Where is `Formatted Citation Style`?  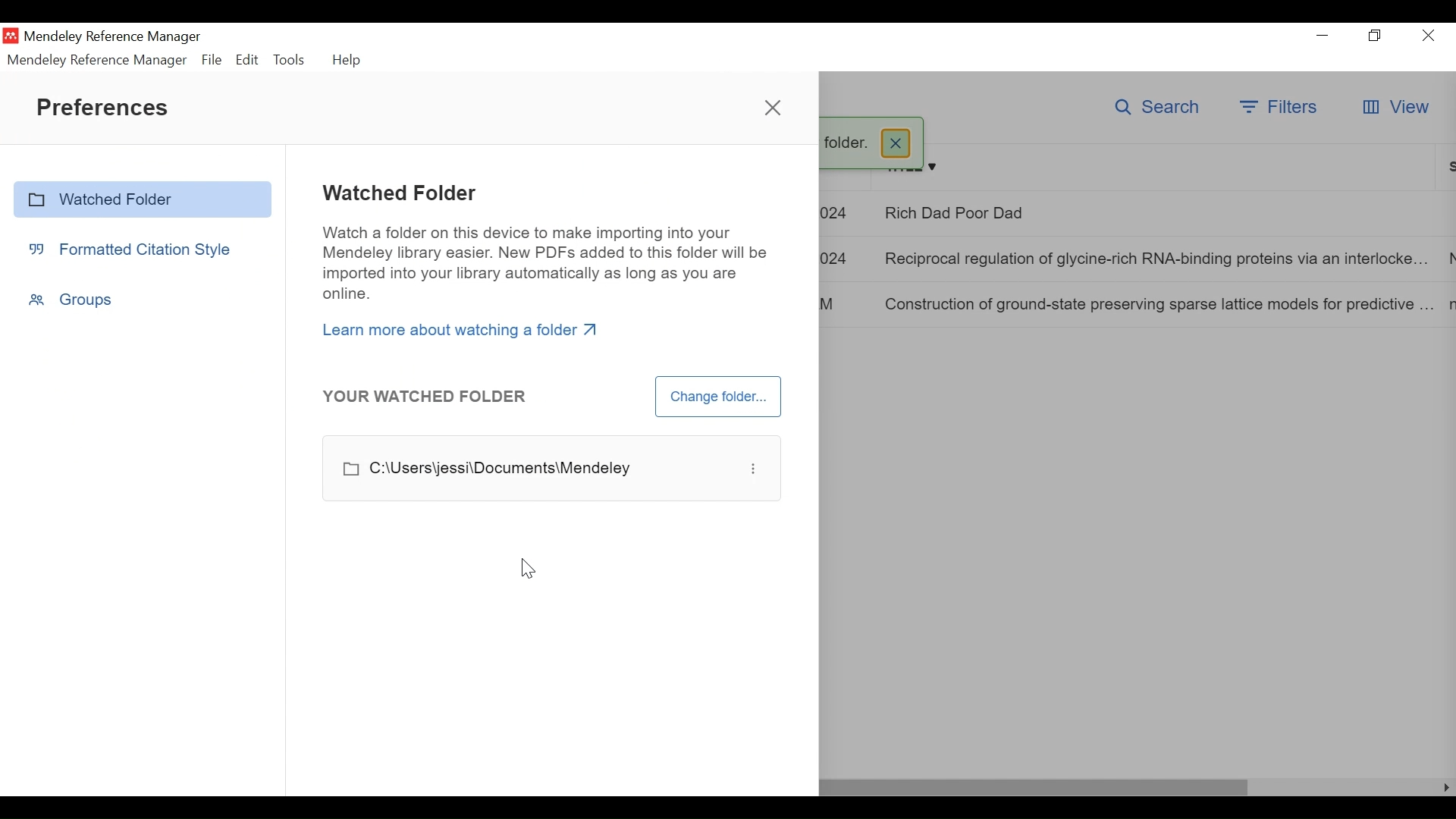 Formatted Citation Style is located at coordinates (130, 249).